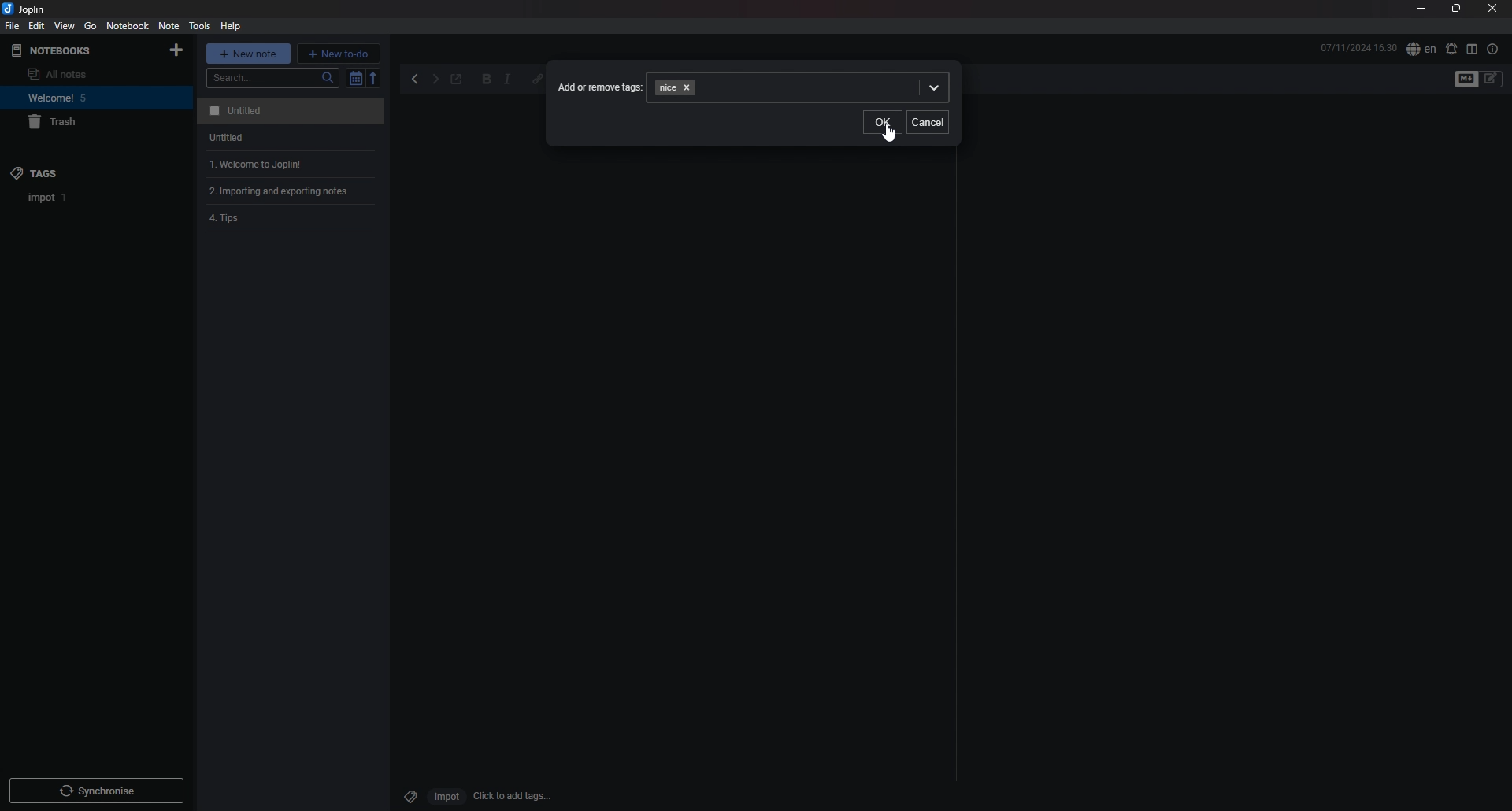 The width and height of the screenshot is (1512, 811). I want to click on edit, so click(35, 25).